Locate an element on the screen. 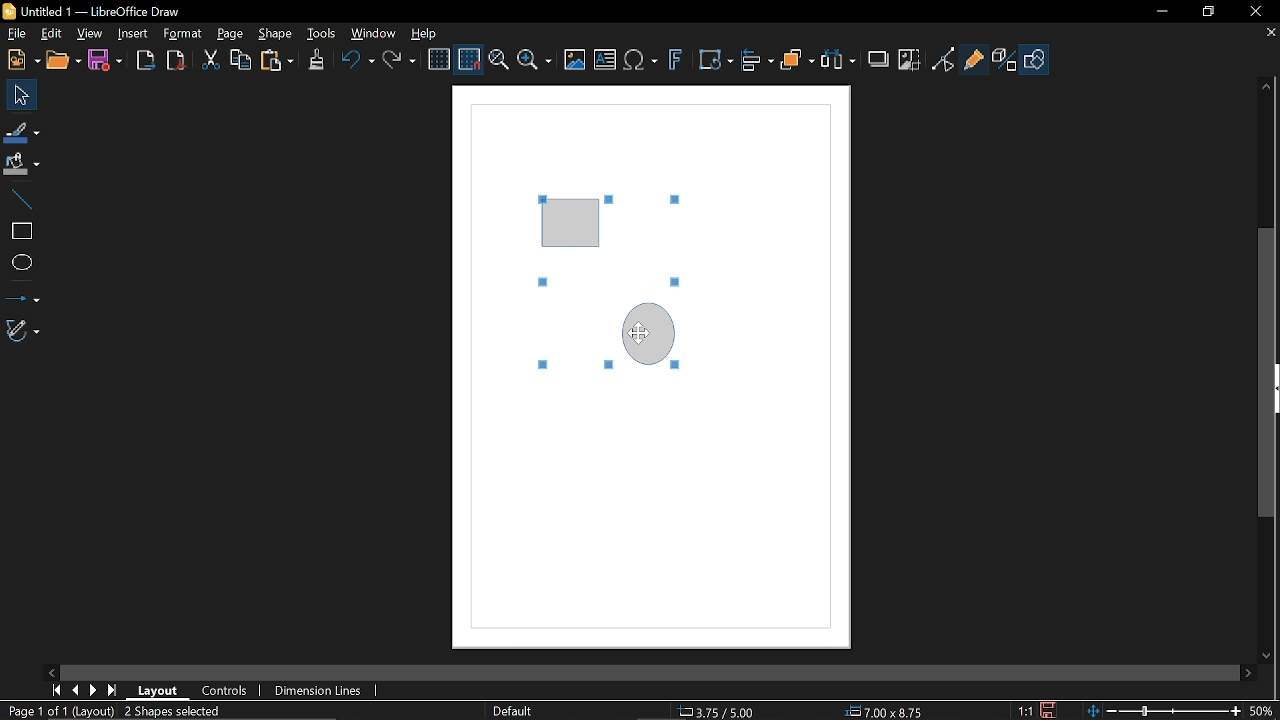 This screenshot has width=1280, height=720. Cut is located at coordinates (207, 60).